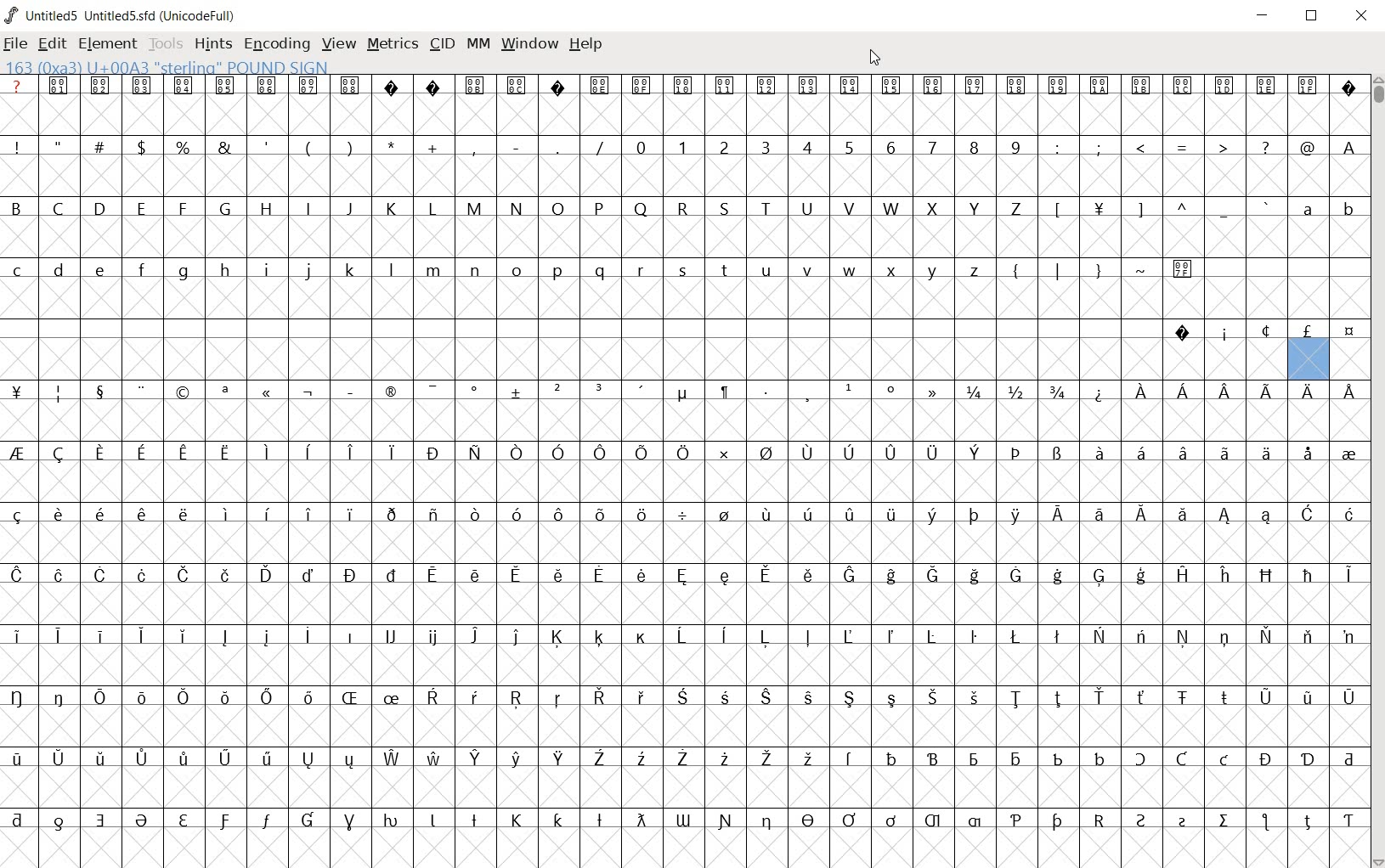 The height and width of the screenshot is (868, 1385). I want to click on Symbol, so click(1266, 823).